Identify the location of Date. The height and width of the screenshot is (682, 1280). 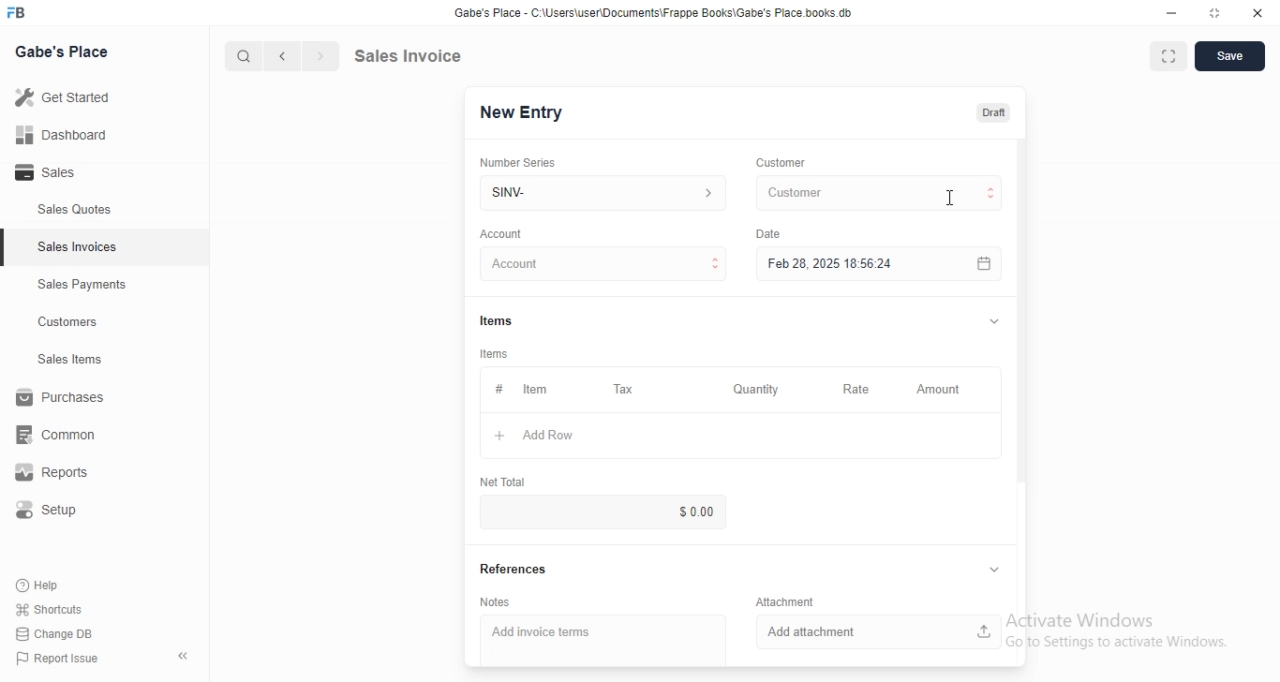
(768, 232).